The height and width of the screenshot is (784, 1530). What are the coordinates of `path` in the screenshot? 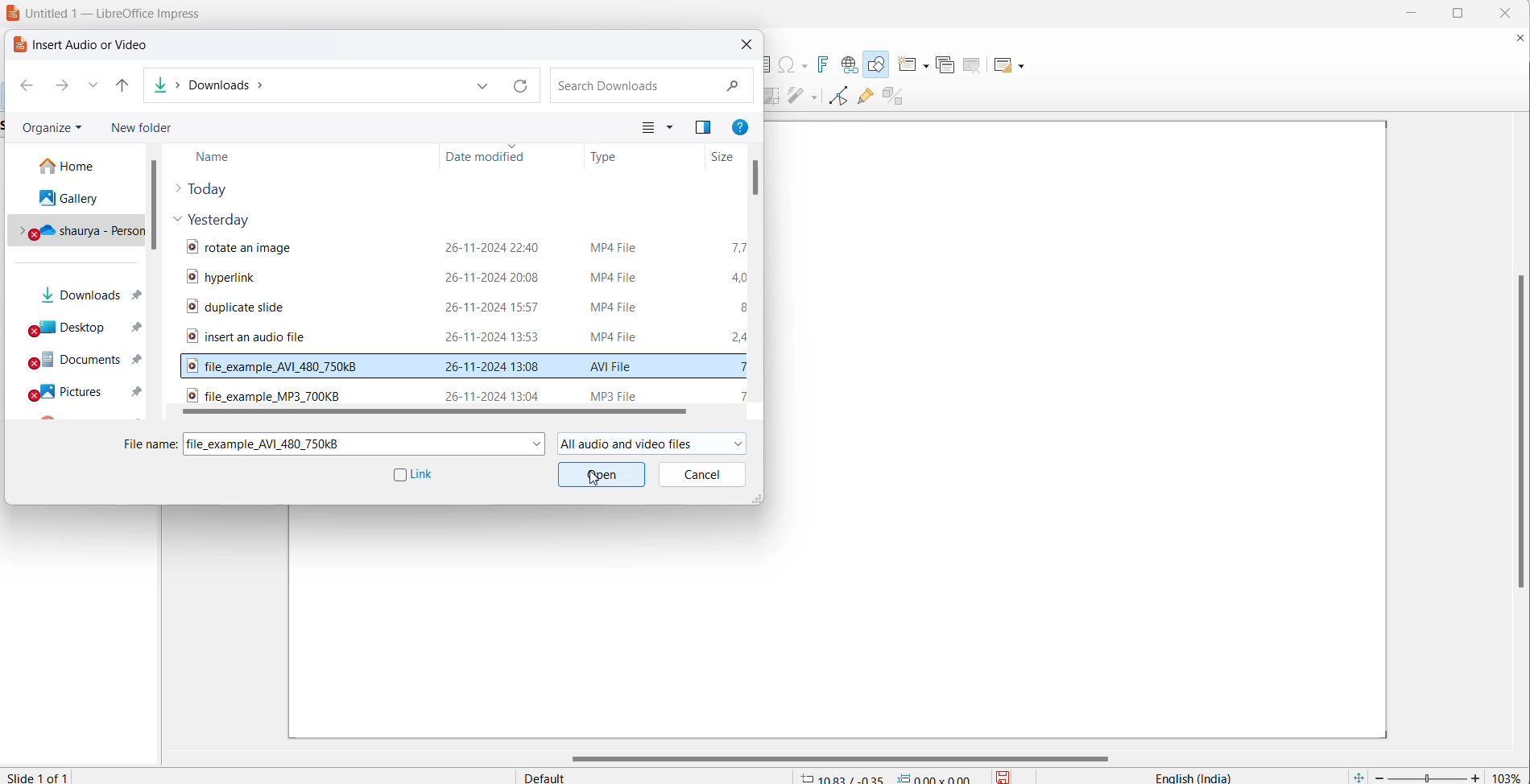 It's located at (304, 85).